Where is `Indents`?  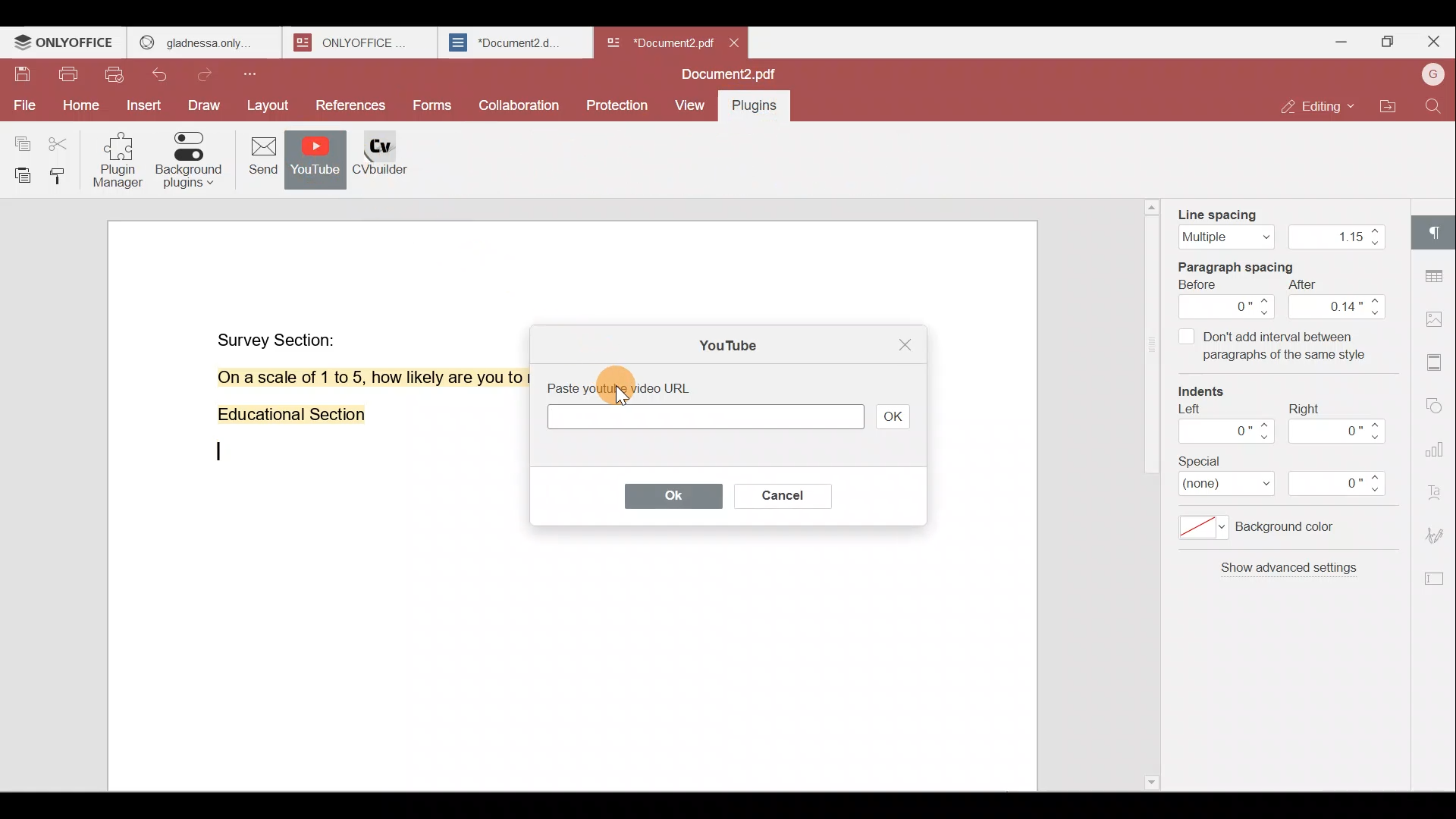 Indents is located at coordinates (1210, 393).